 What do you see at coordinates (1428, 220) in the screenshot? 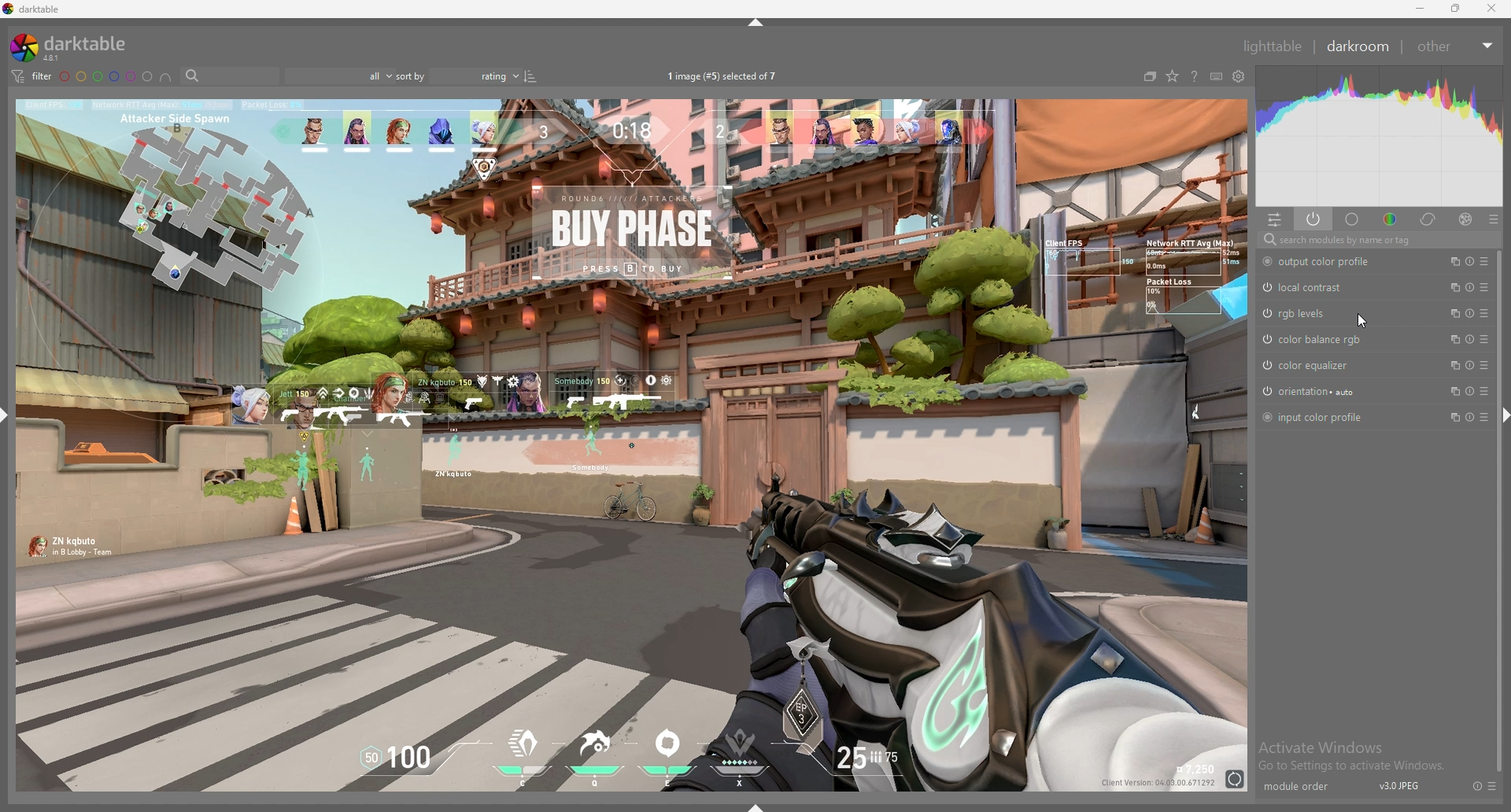
I see `correct` at bounding box center [1428, 220].